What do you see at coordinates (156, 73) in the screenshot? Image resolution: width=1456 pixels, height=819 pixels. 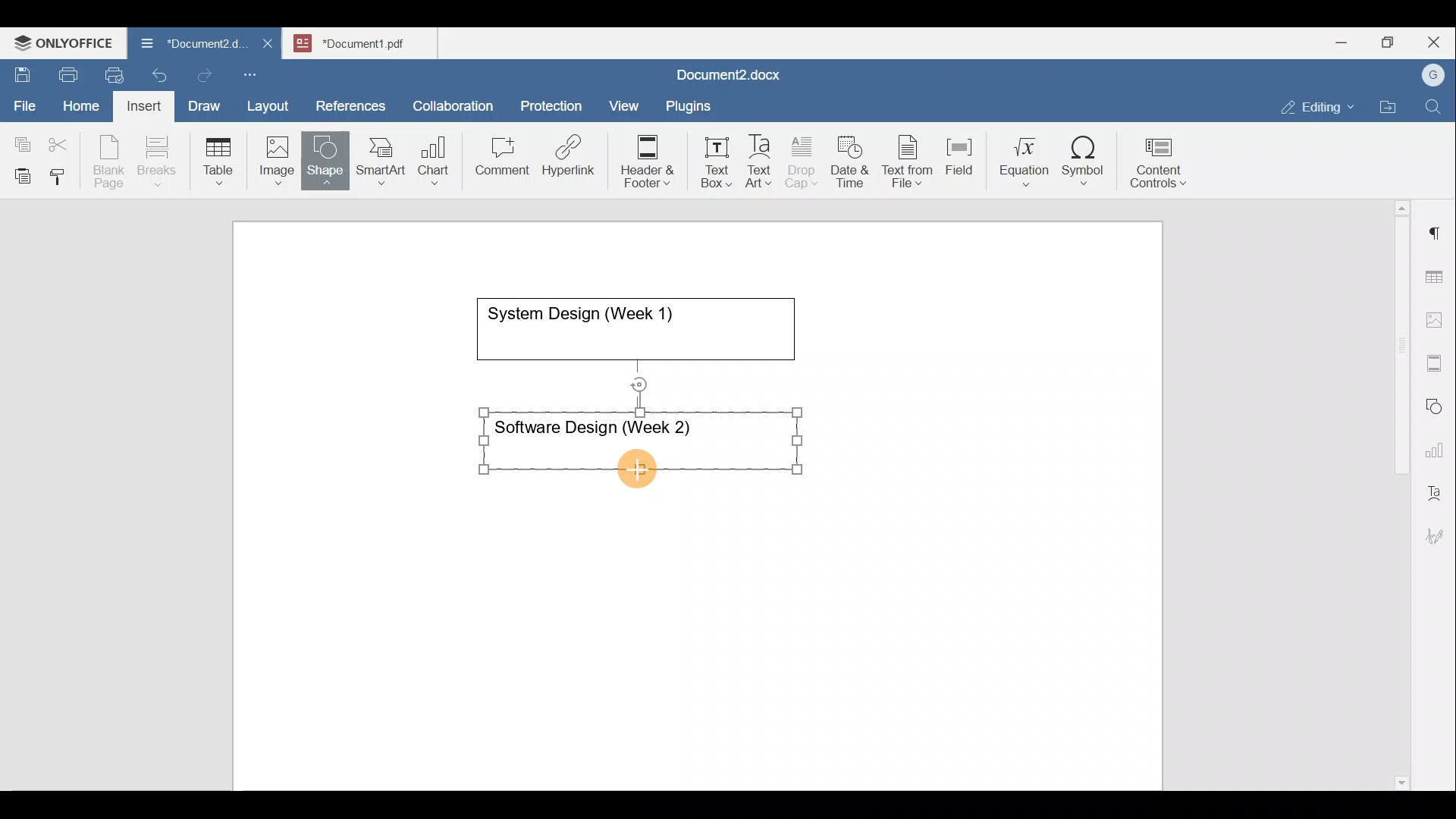 I see `Undo` at bounding box center [156, 73].